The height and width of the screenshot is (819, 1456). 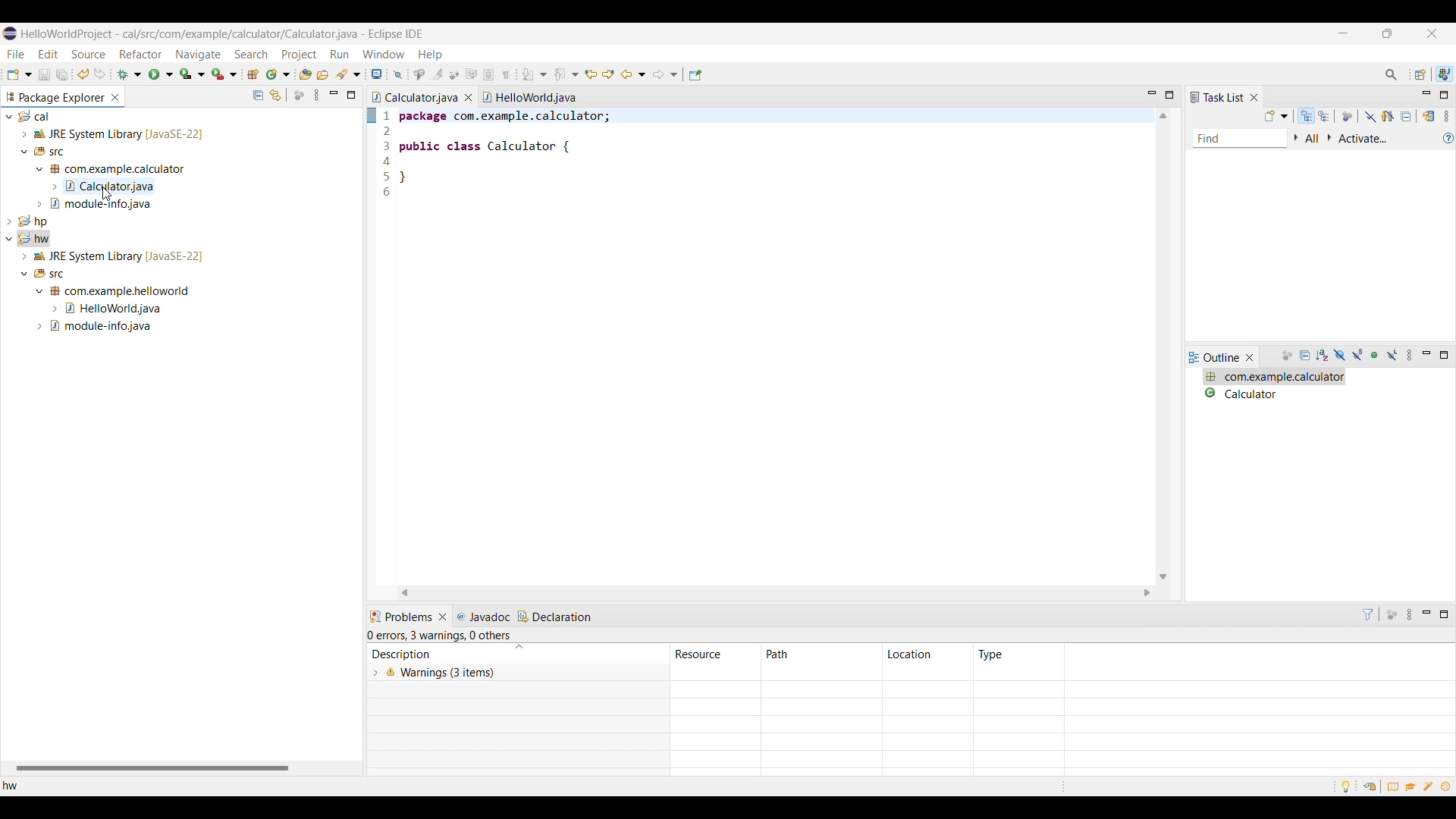 What do you see at coordinates (469, 97) in the screenshot?
I see `Close tab 1` at bounding box center [469, 97].